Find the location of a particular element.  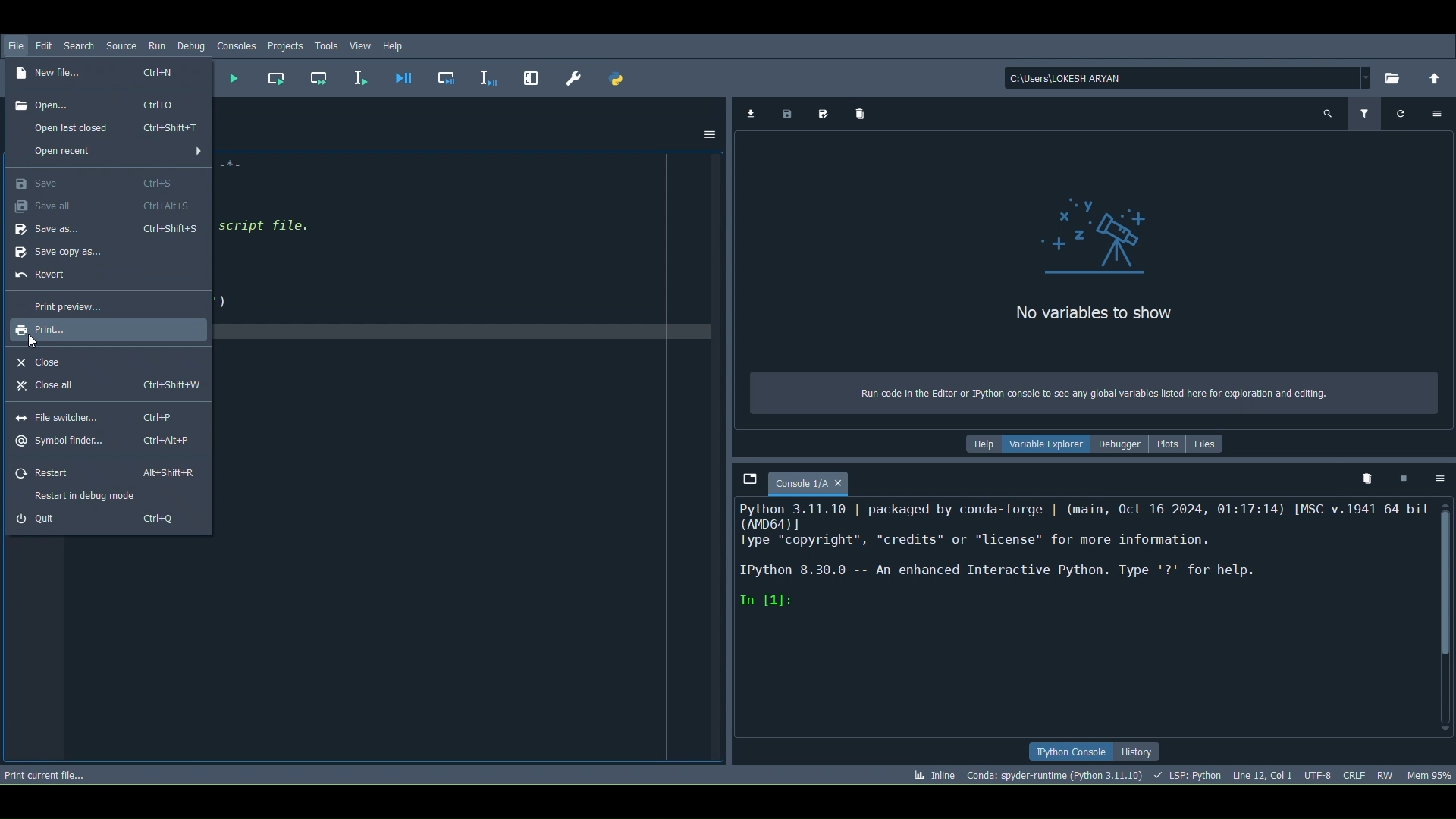

Search is located at coordinates (77, 43).